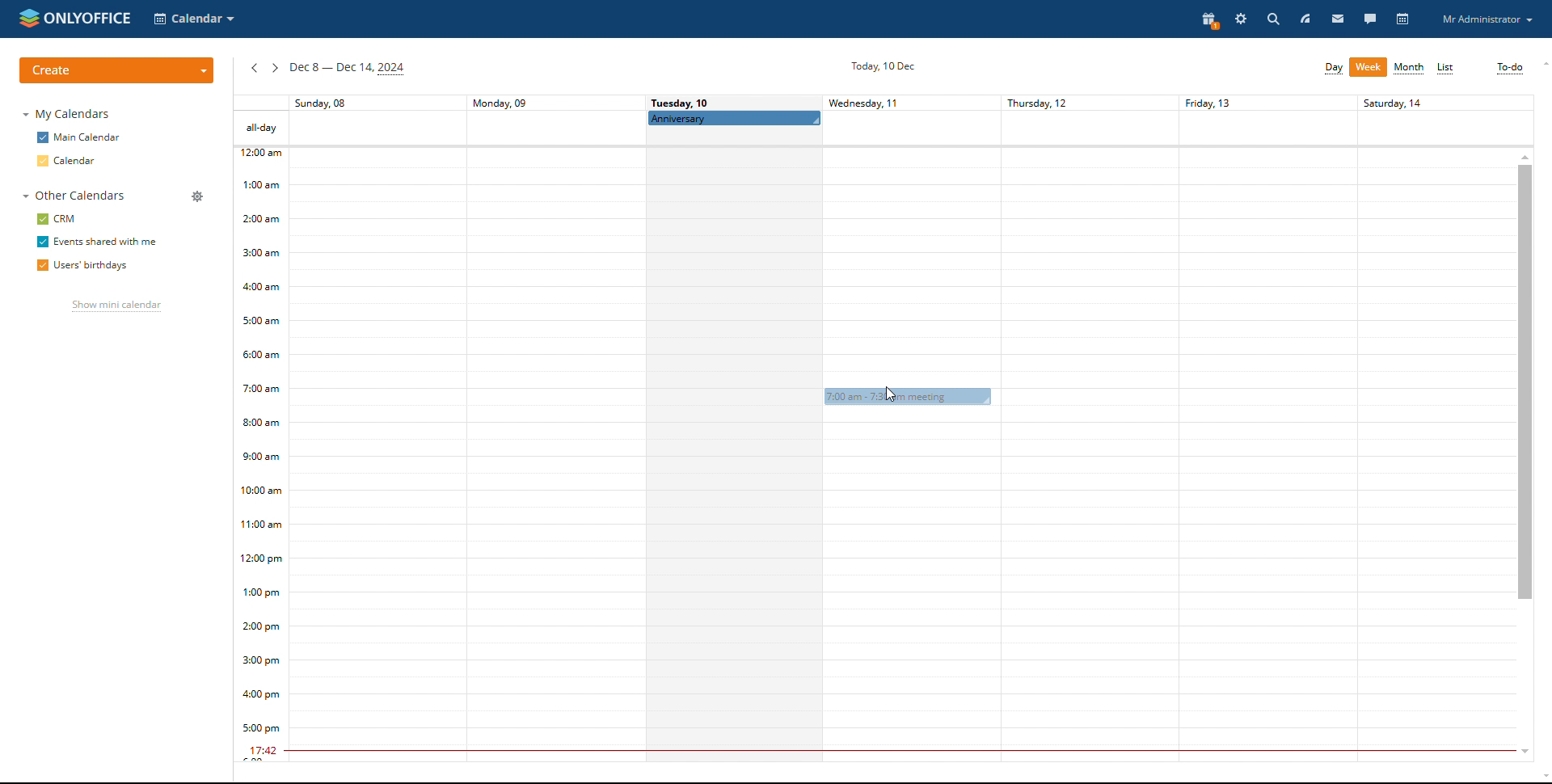 The image size is (1552, 784). I want to click on main calendar, so click(78, 137).